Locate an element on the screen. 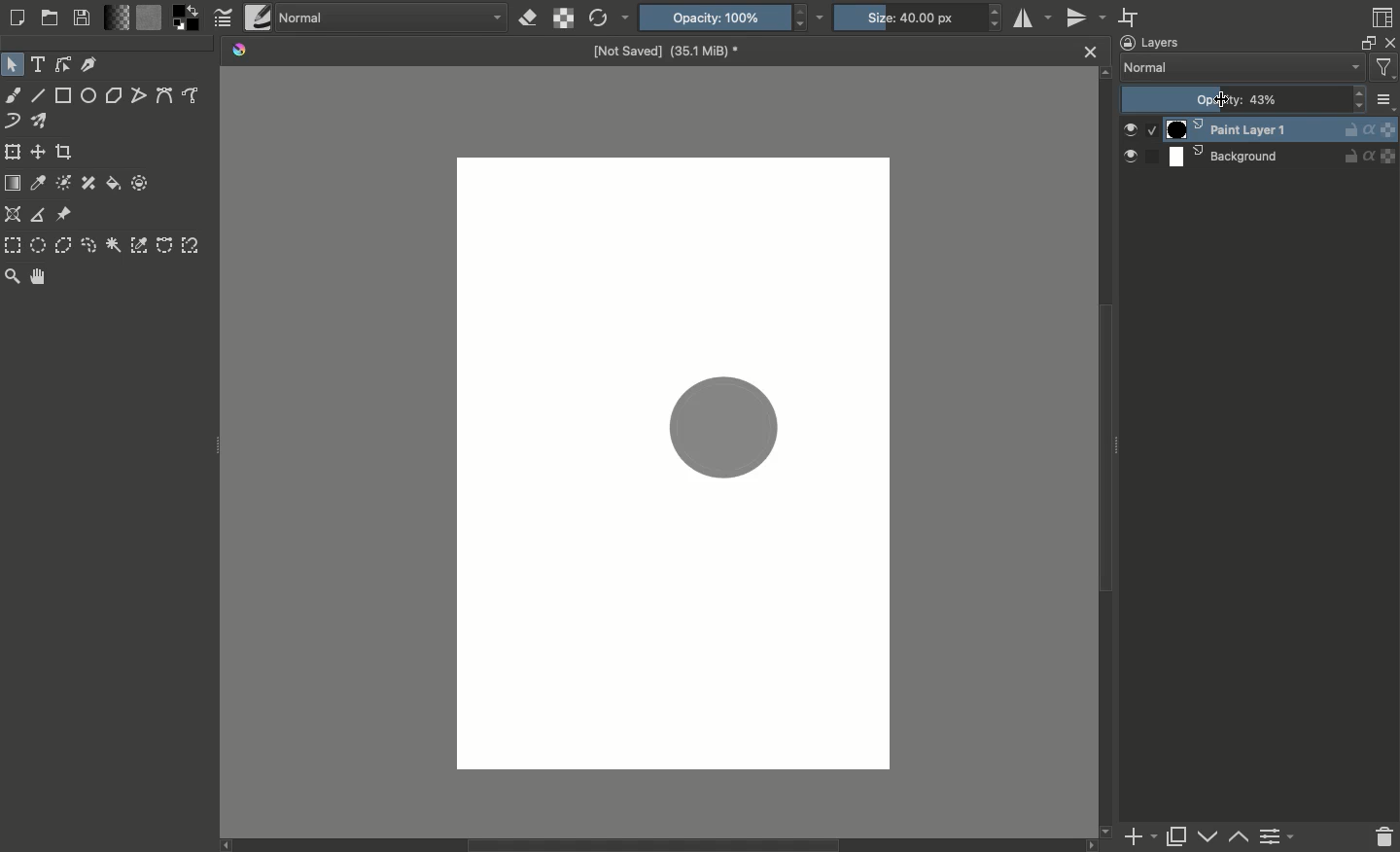 This screenshot has height=852, width=1400. Normal is located at coordinates (1244, 69).